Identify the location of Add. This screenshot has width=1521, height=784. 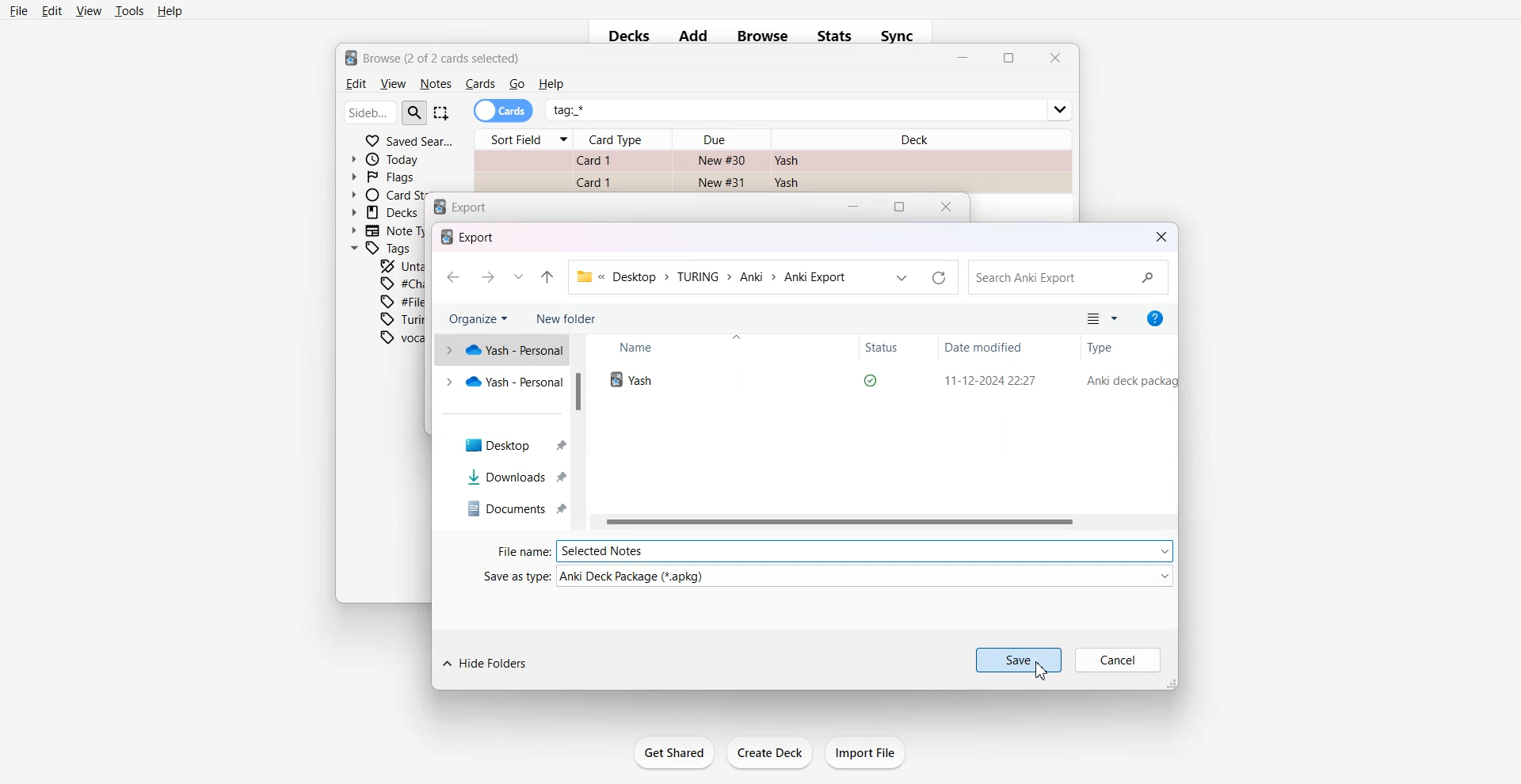
(693, 36).